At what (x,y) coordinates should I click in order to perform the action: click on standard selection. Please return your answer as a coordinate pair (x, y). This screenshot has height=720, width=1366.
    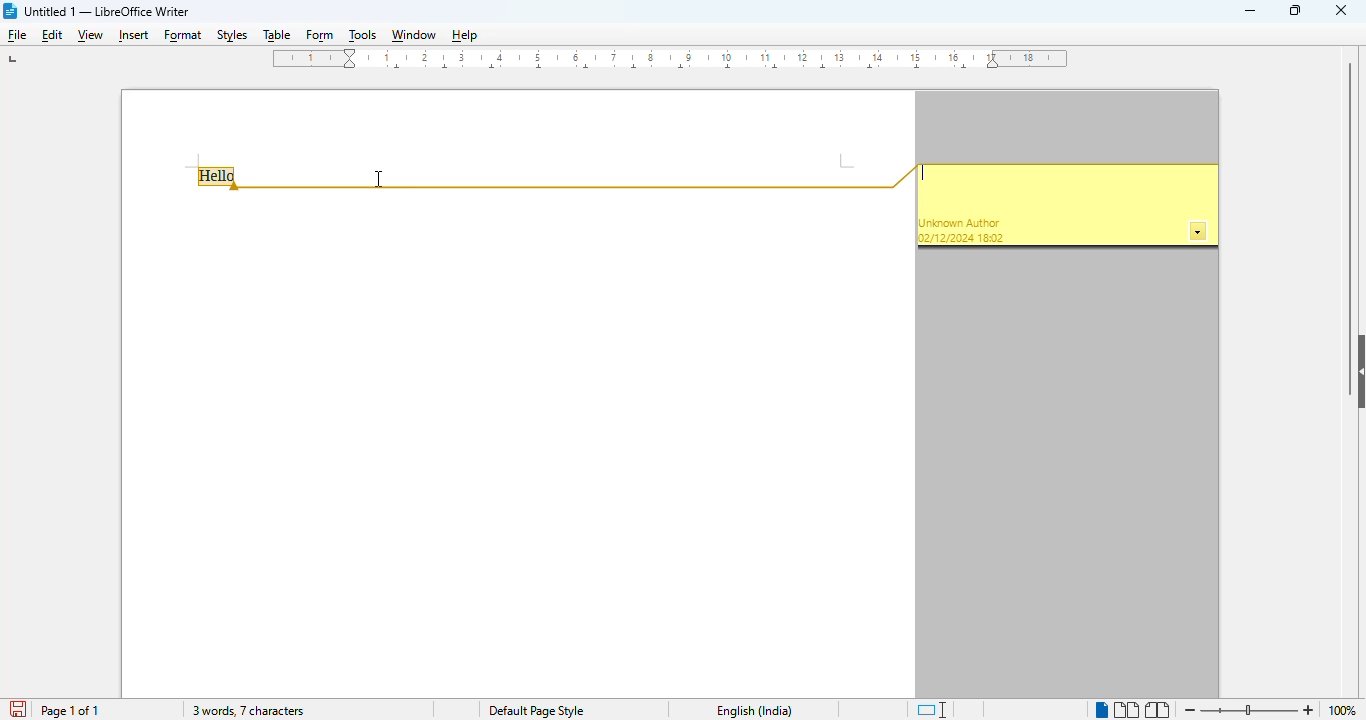
    Looking at the image, I should click on (932, 709).